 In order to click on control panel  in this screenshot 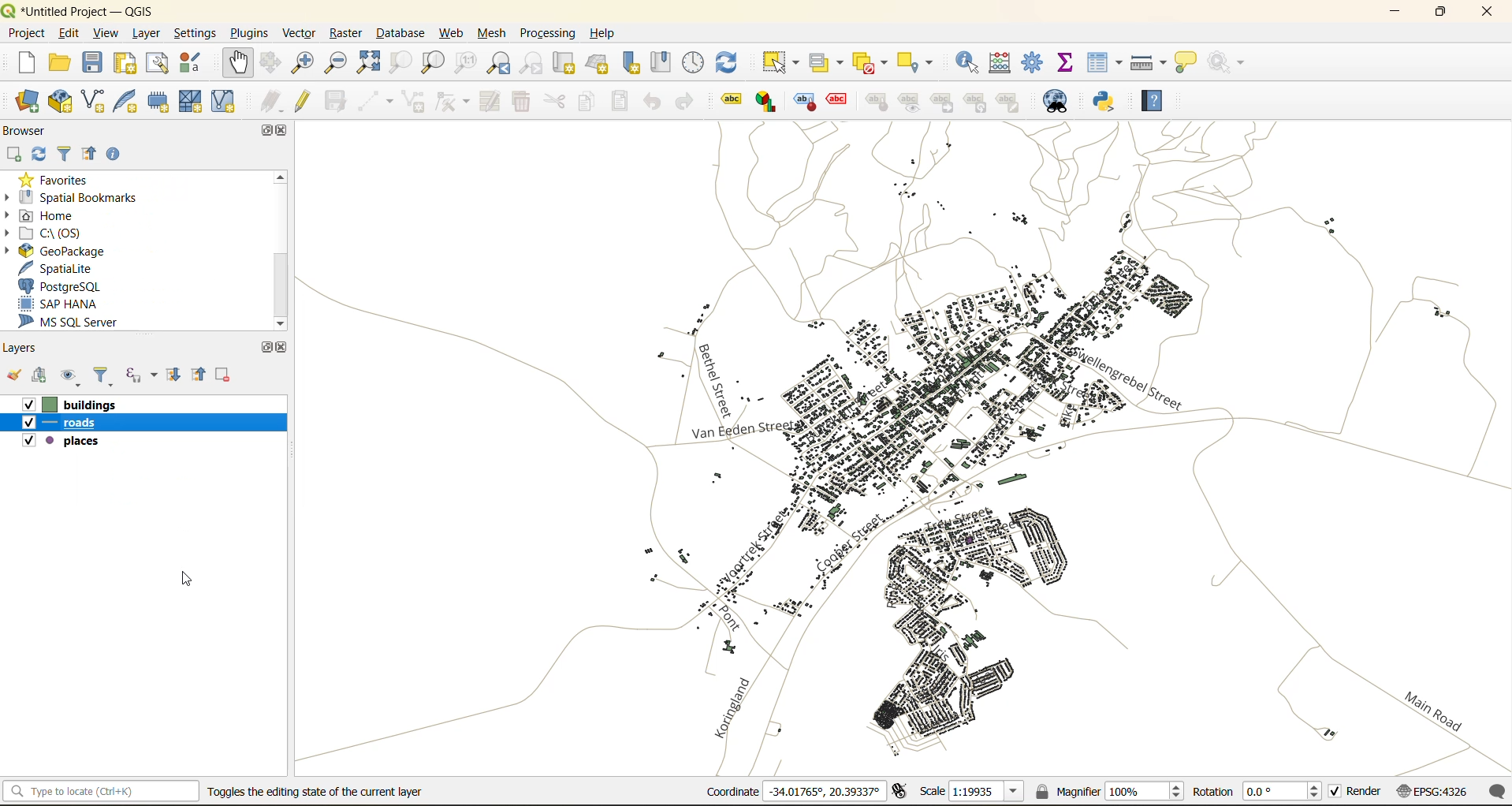, I will do `click(695, 65)`.